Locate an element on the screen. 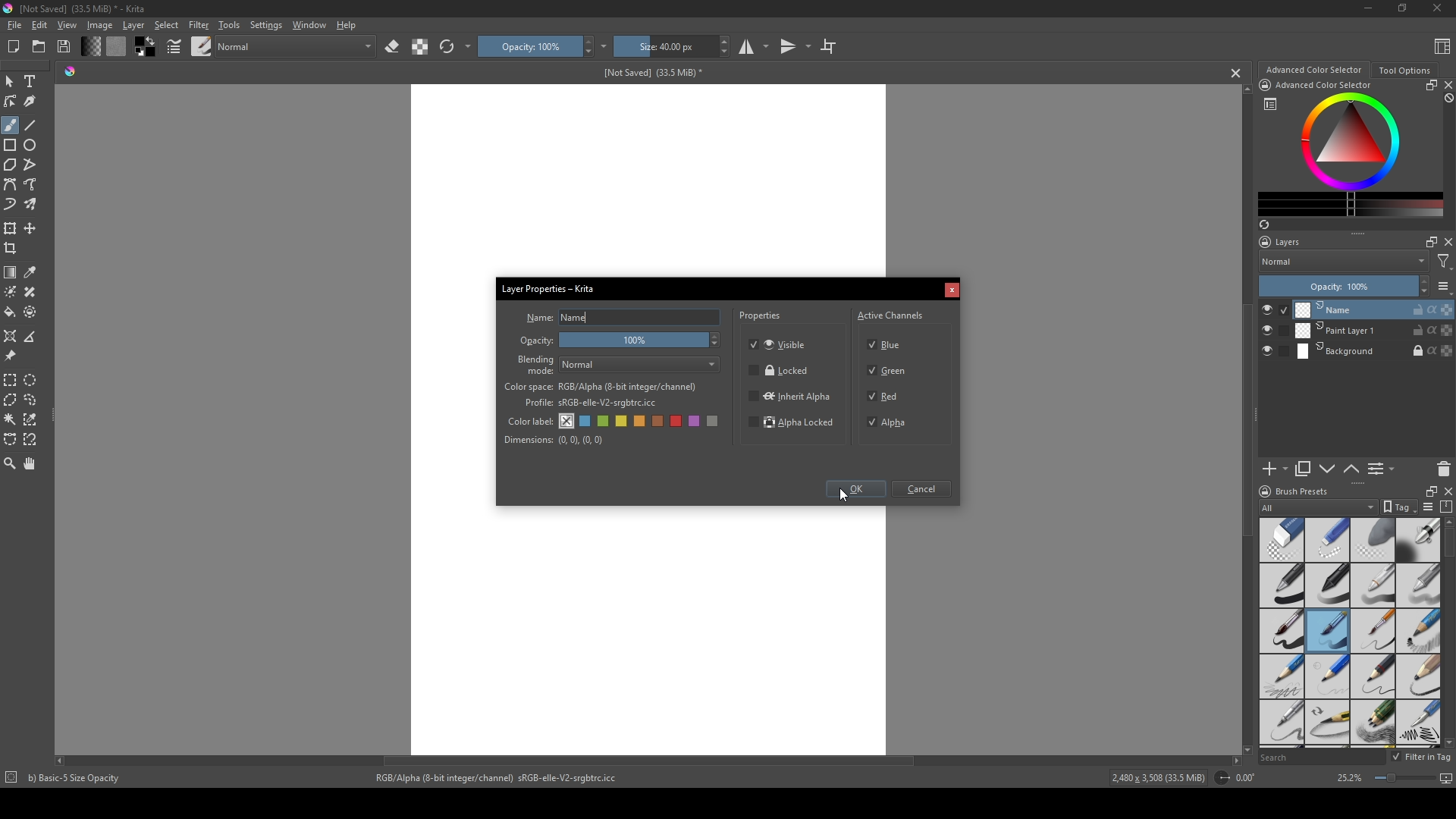  pen is located at coordinates (1281, 586).